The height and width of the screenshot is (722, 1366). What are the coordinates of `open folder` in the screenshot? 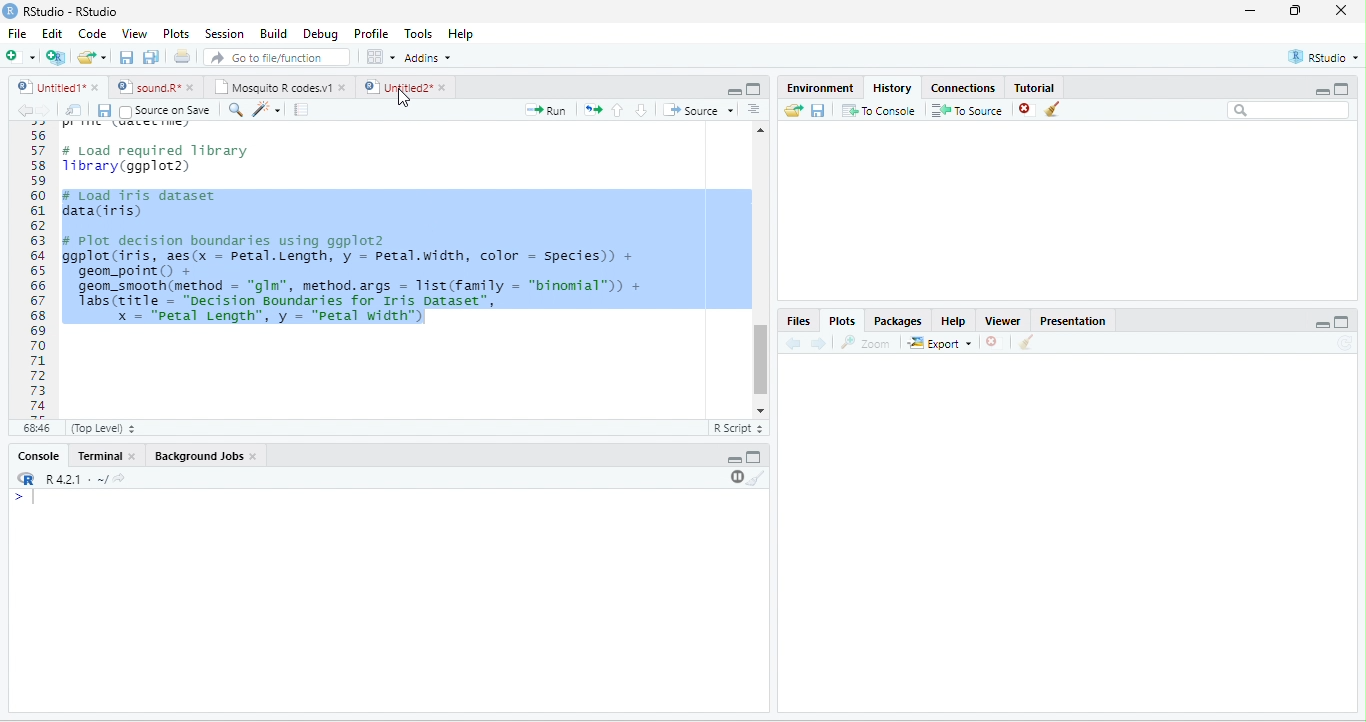 It's located at (794, 110).